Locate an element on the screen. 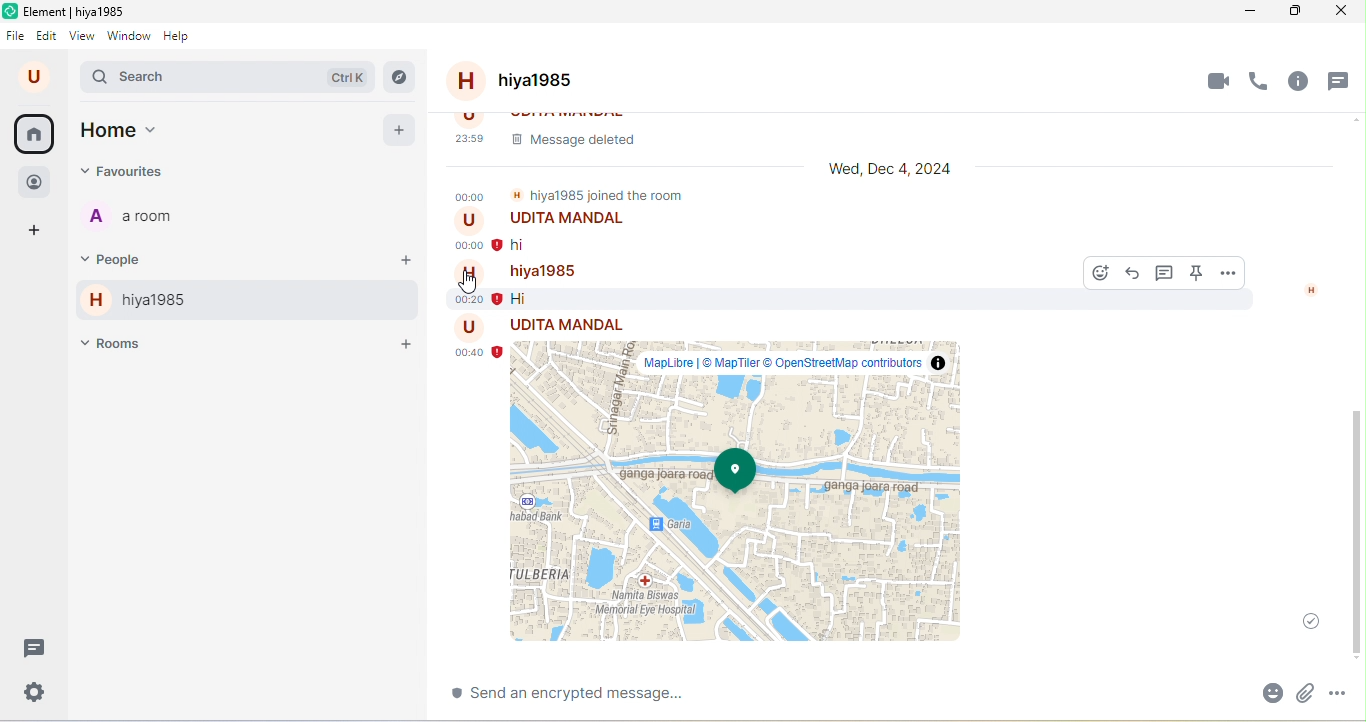  ctlk is located at coordinates (346, 76).